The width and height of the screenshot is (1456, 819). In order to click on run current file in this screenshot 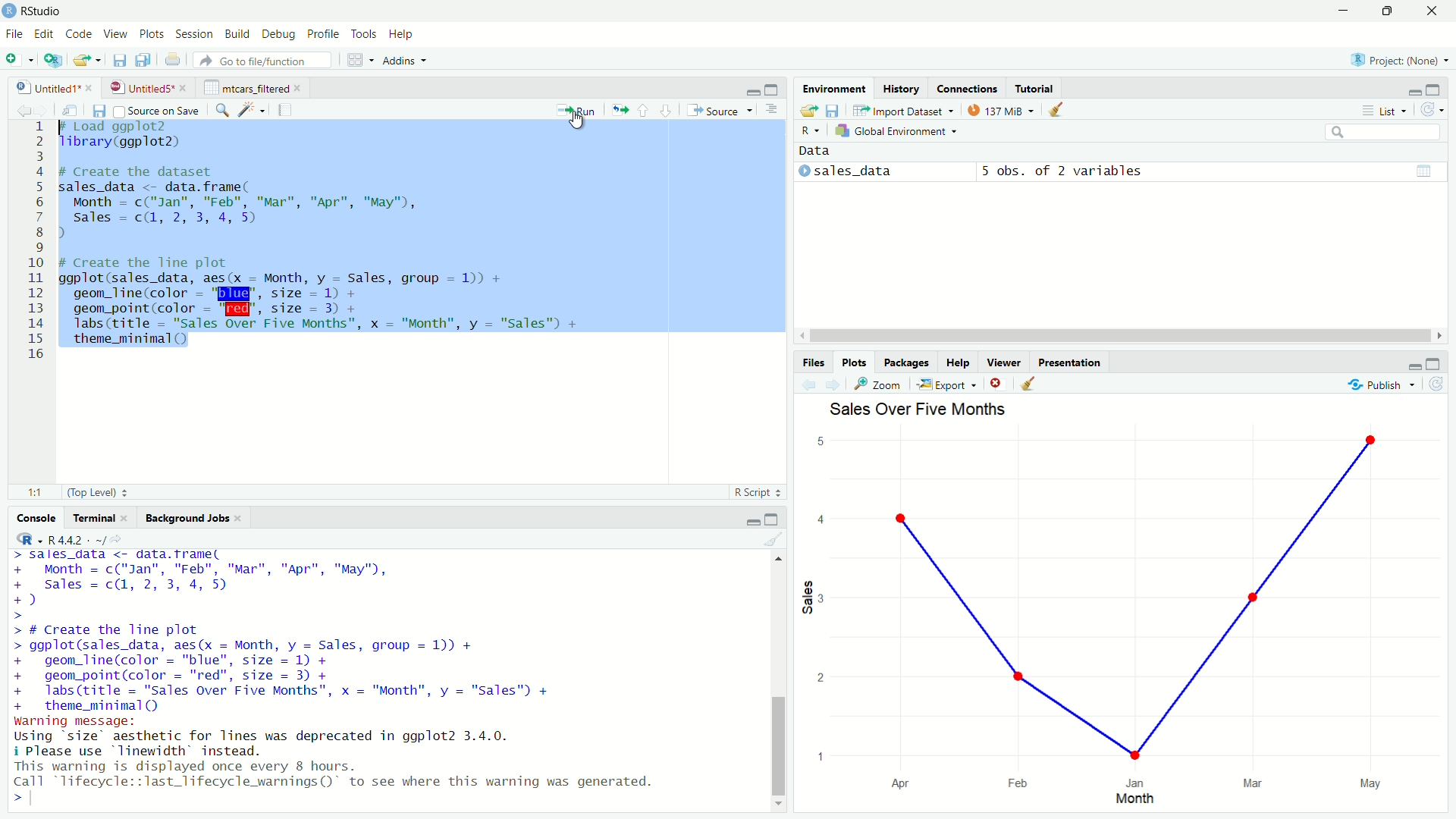, I will do `click(577, 111)`.